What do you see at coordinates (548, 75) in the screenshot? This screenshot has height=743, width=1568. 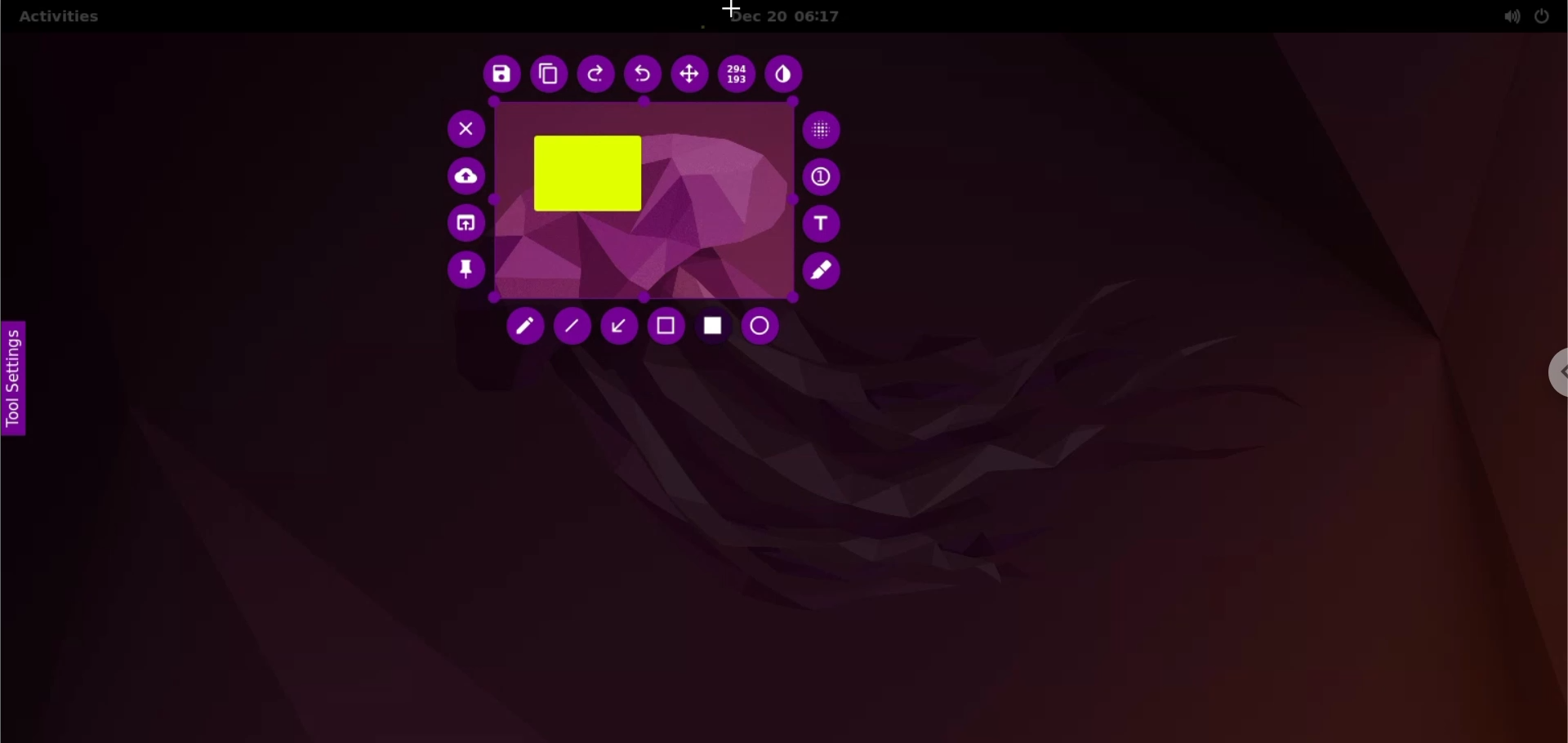 I see `copy to clipboard` at bounding box center [548, 75].